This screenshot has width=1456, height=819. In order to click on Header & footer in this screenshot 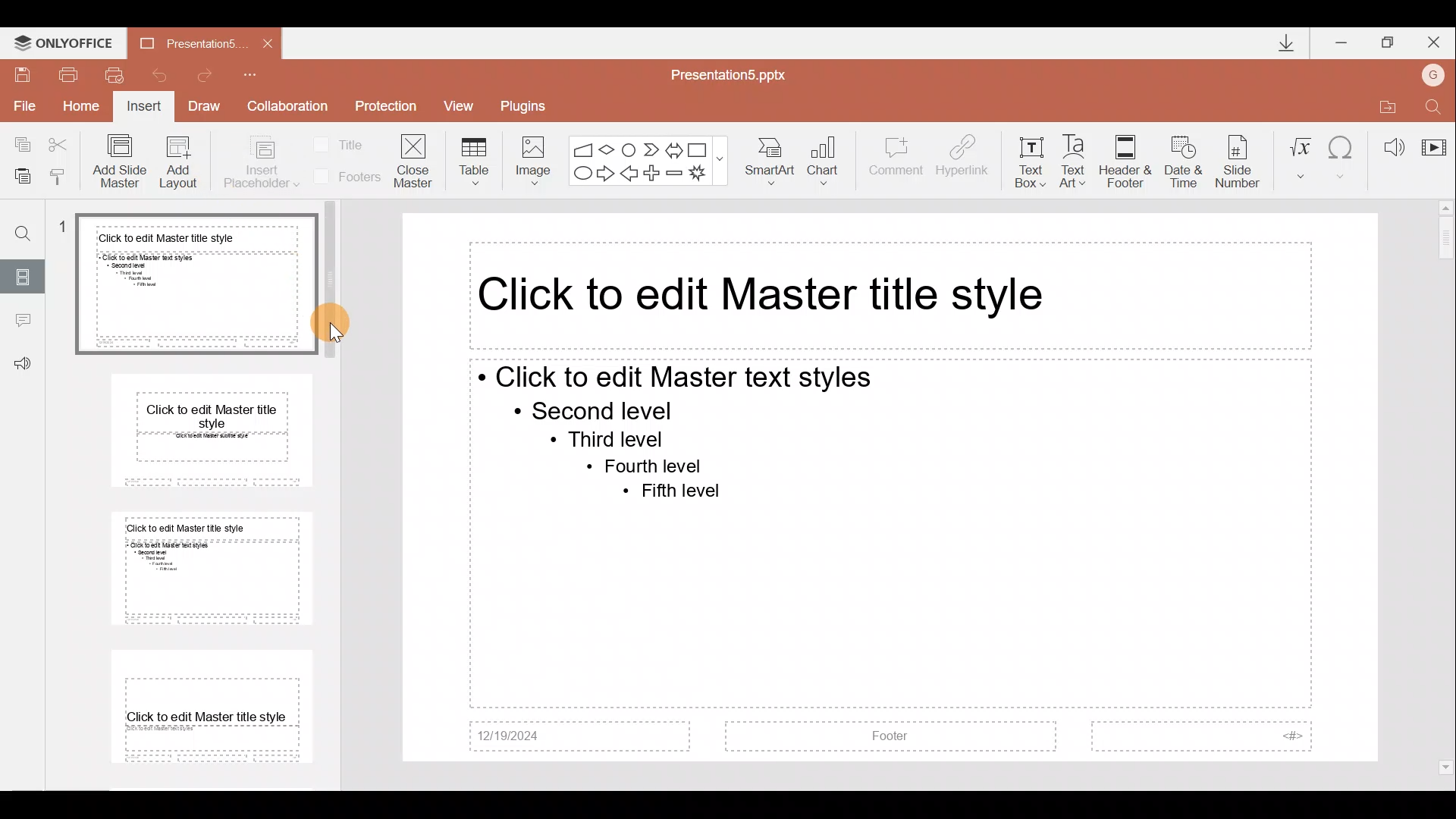, I will do `click(1125, 161)`.